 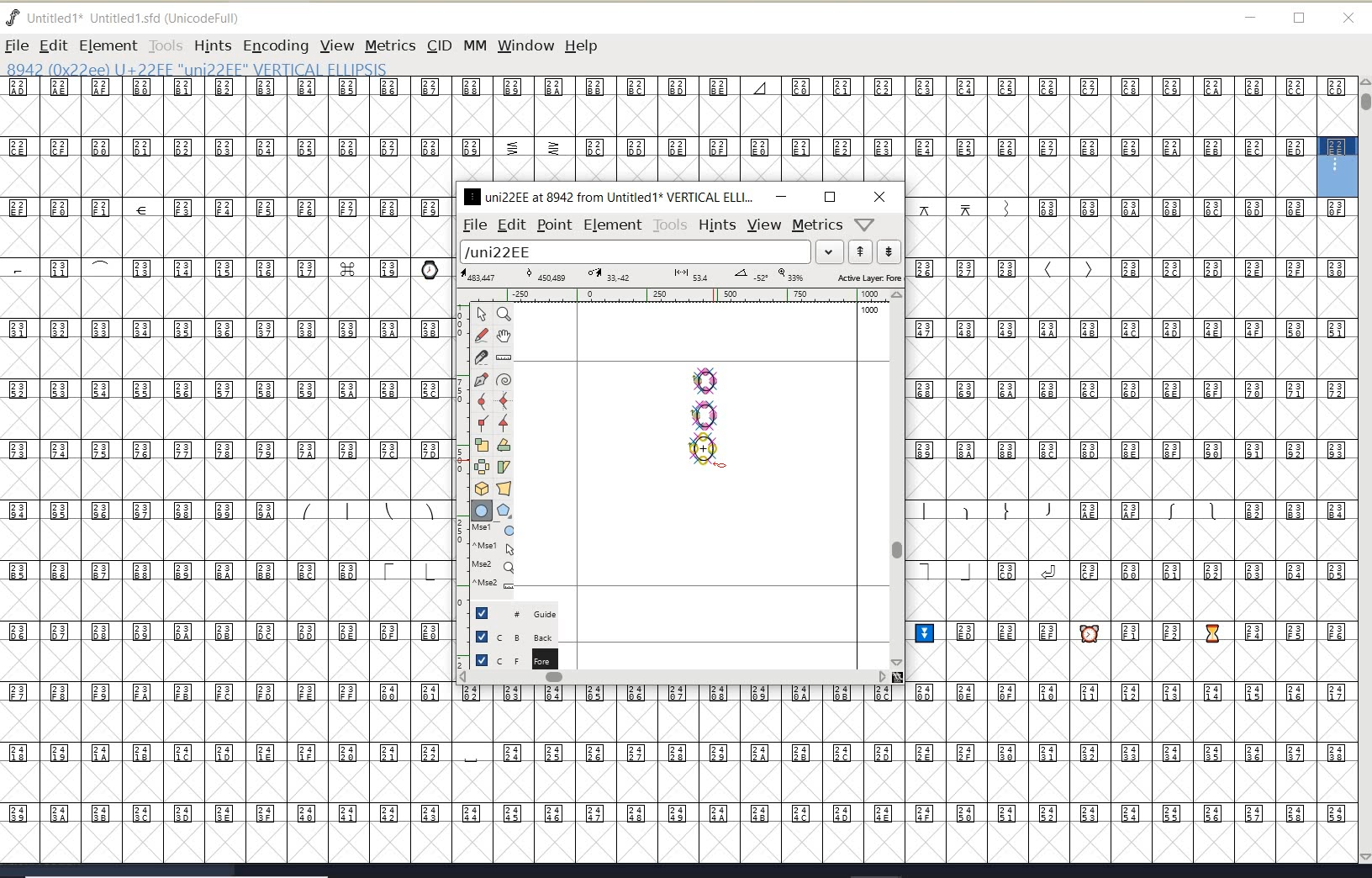 I want to click on minimize, so click(x=781, y=196).